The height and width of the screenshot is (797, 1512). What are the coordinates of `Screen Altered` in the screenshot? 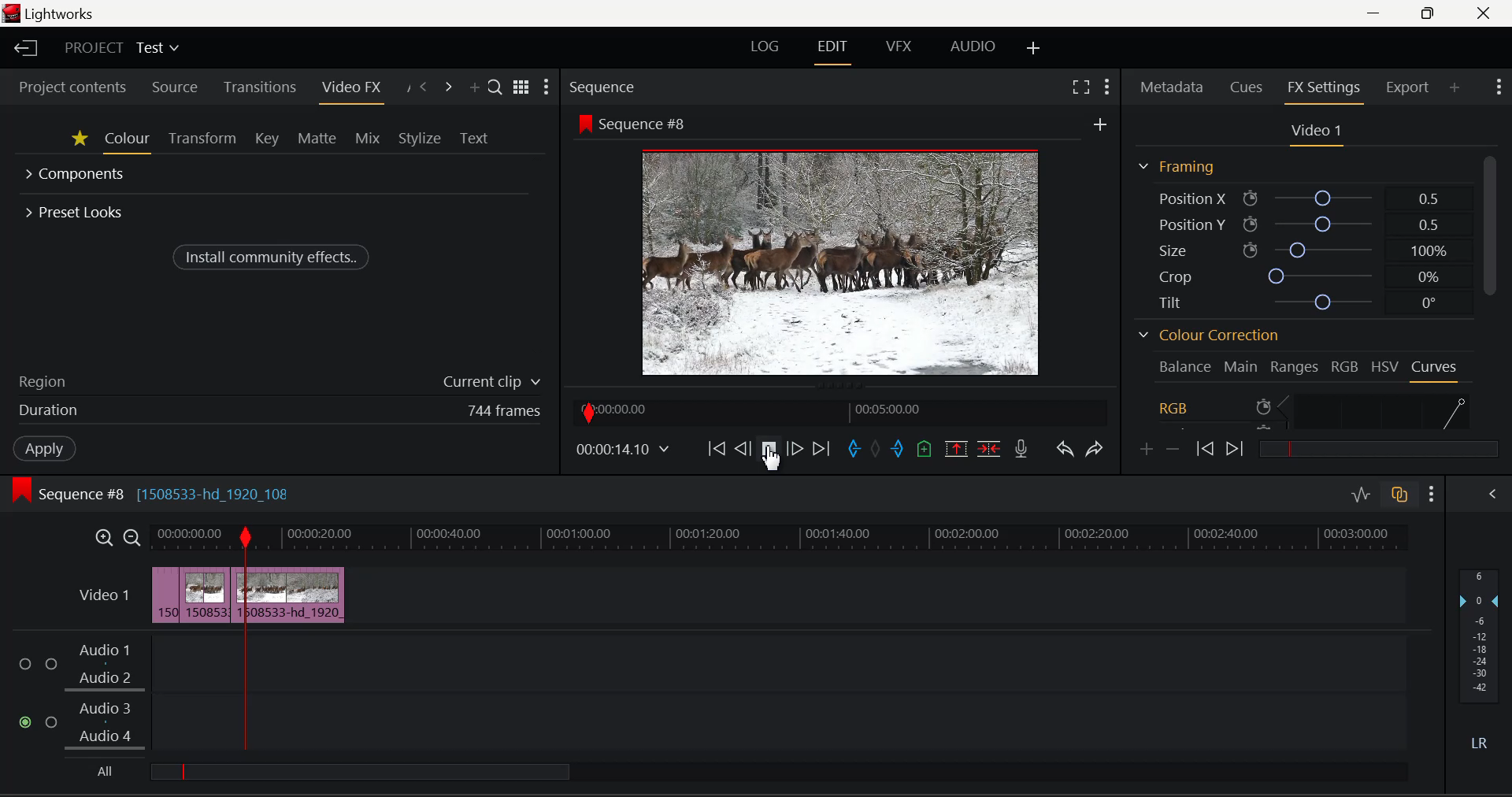 It's located at (841, 261).